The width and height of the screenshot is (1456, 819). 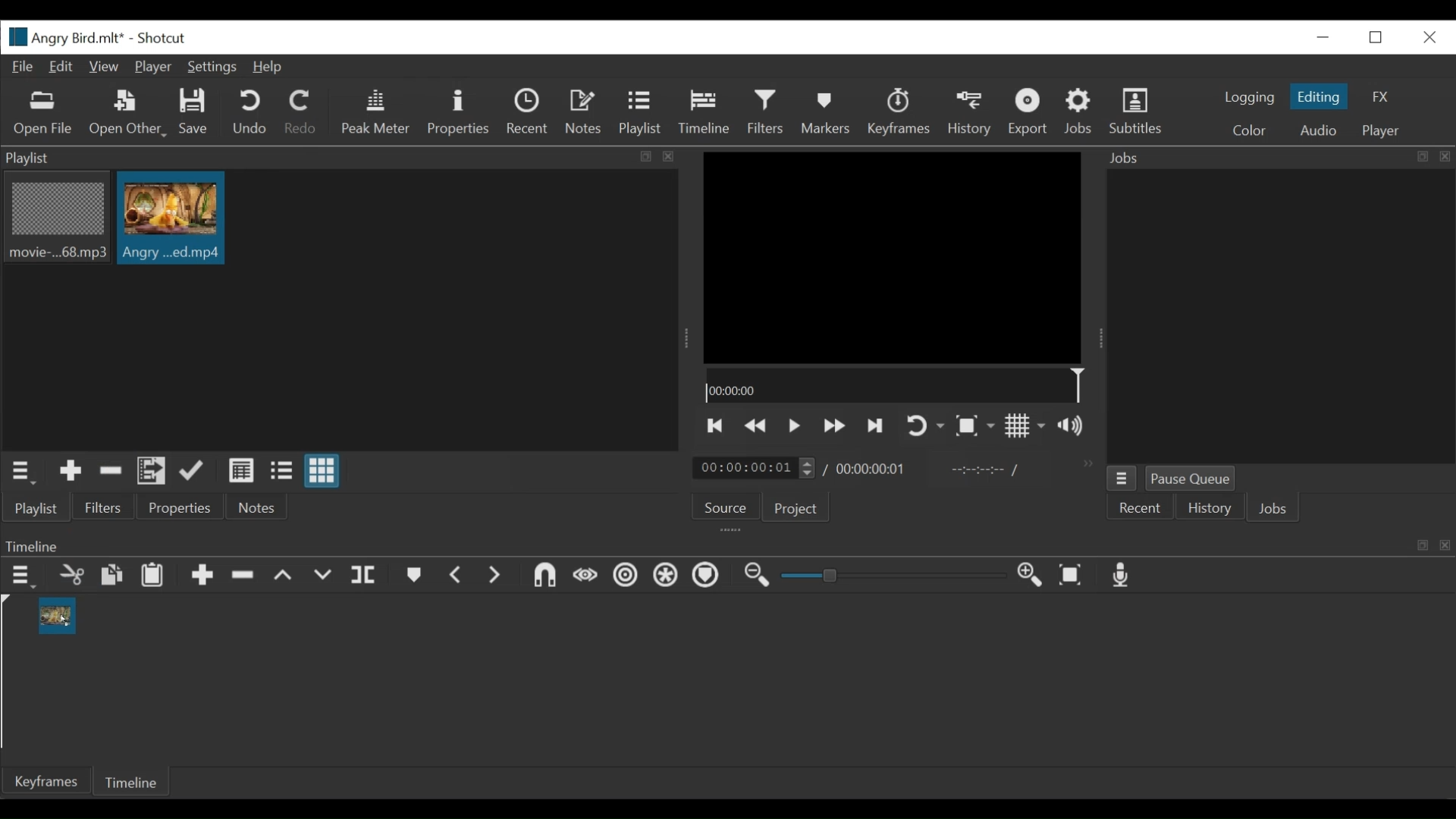 I want to click on Keyframe, so click(x=42, y=780).